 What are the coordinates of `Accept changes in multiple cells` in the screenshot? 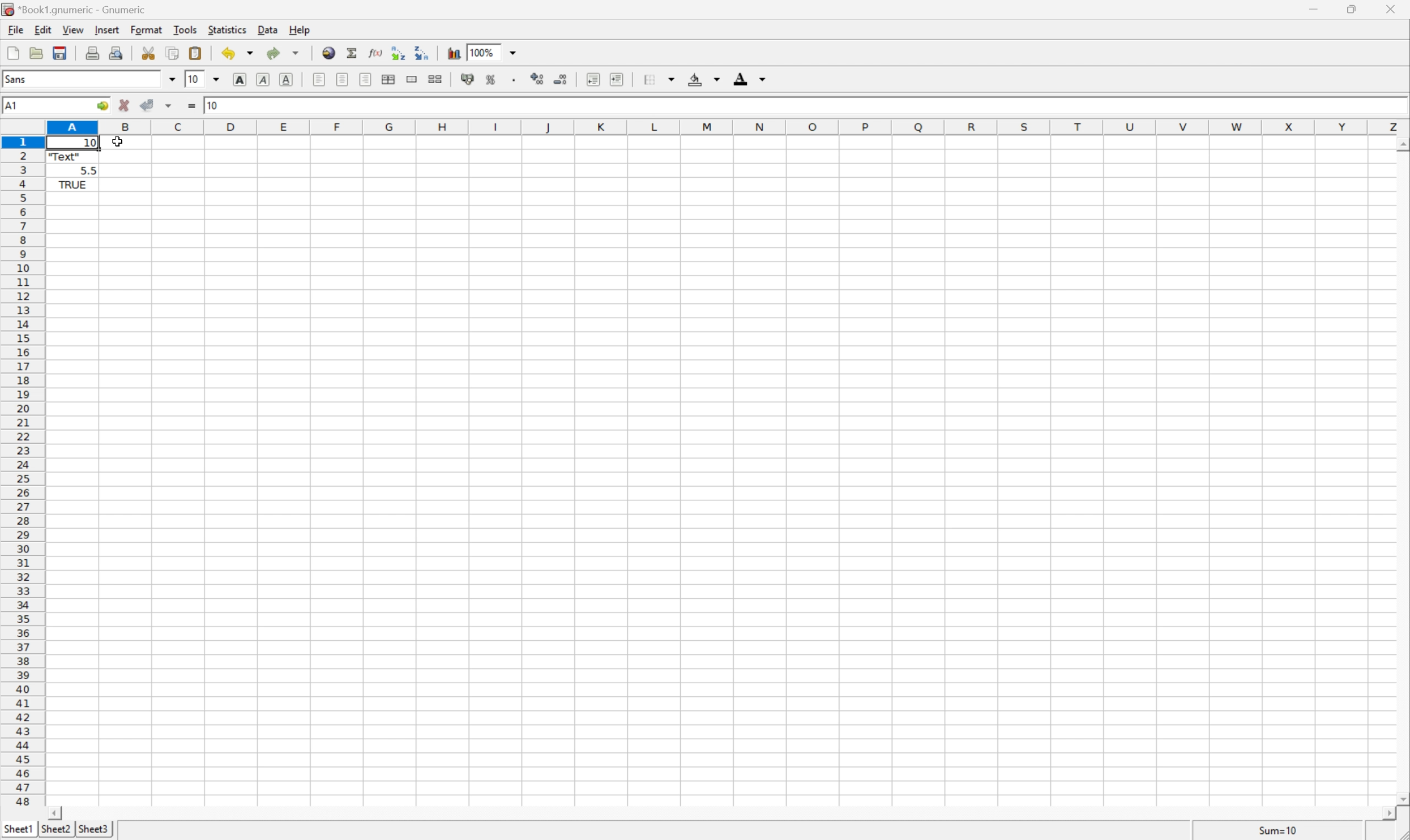 It's located at (168, 106).